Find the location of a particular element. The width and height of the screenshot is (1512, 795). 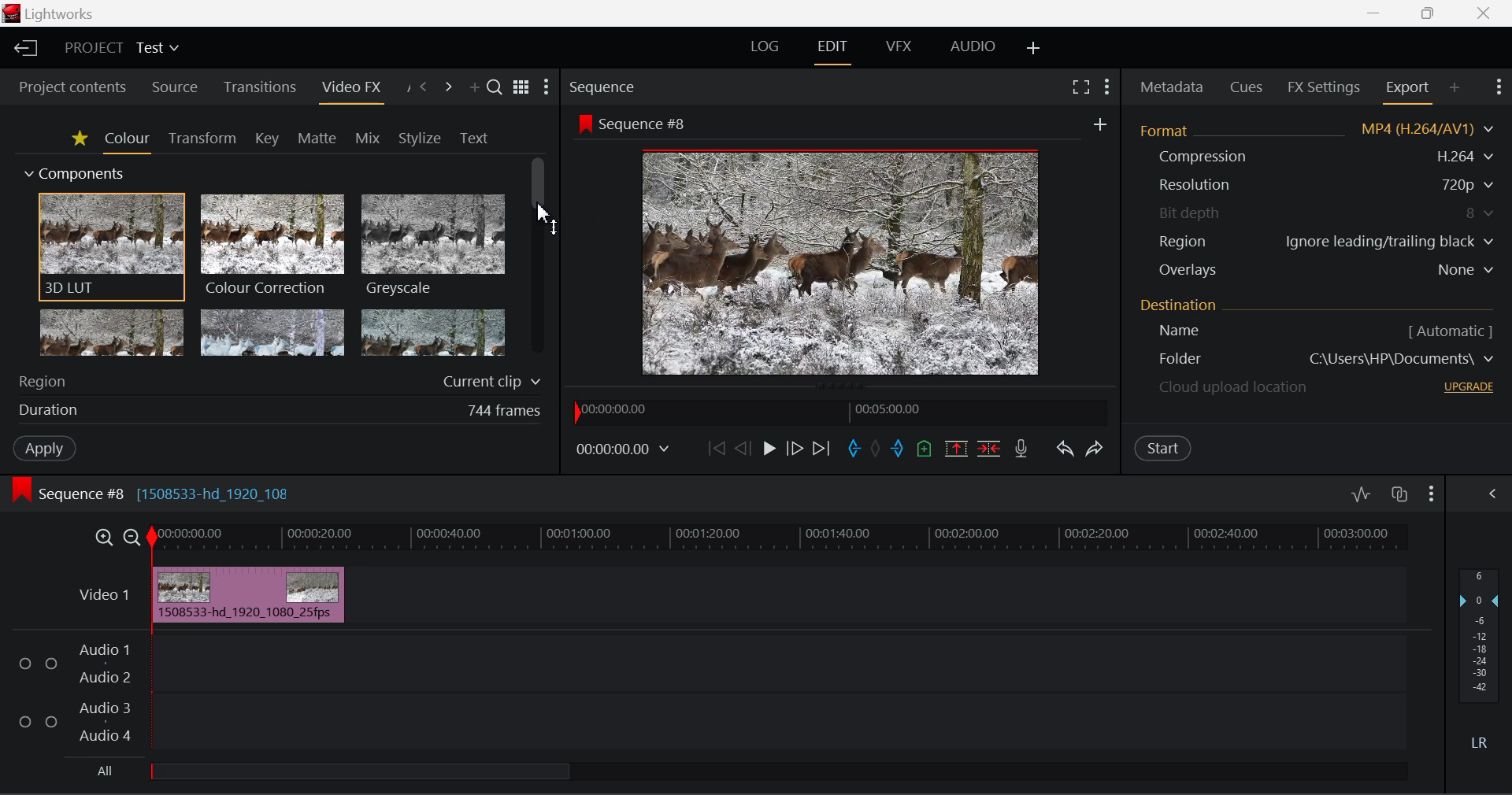

Audio Input Field is located at coordinates (784, 686).